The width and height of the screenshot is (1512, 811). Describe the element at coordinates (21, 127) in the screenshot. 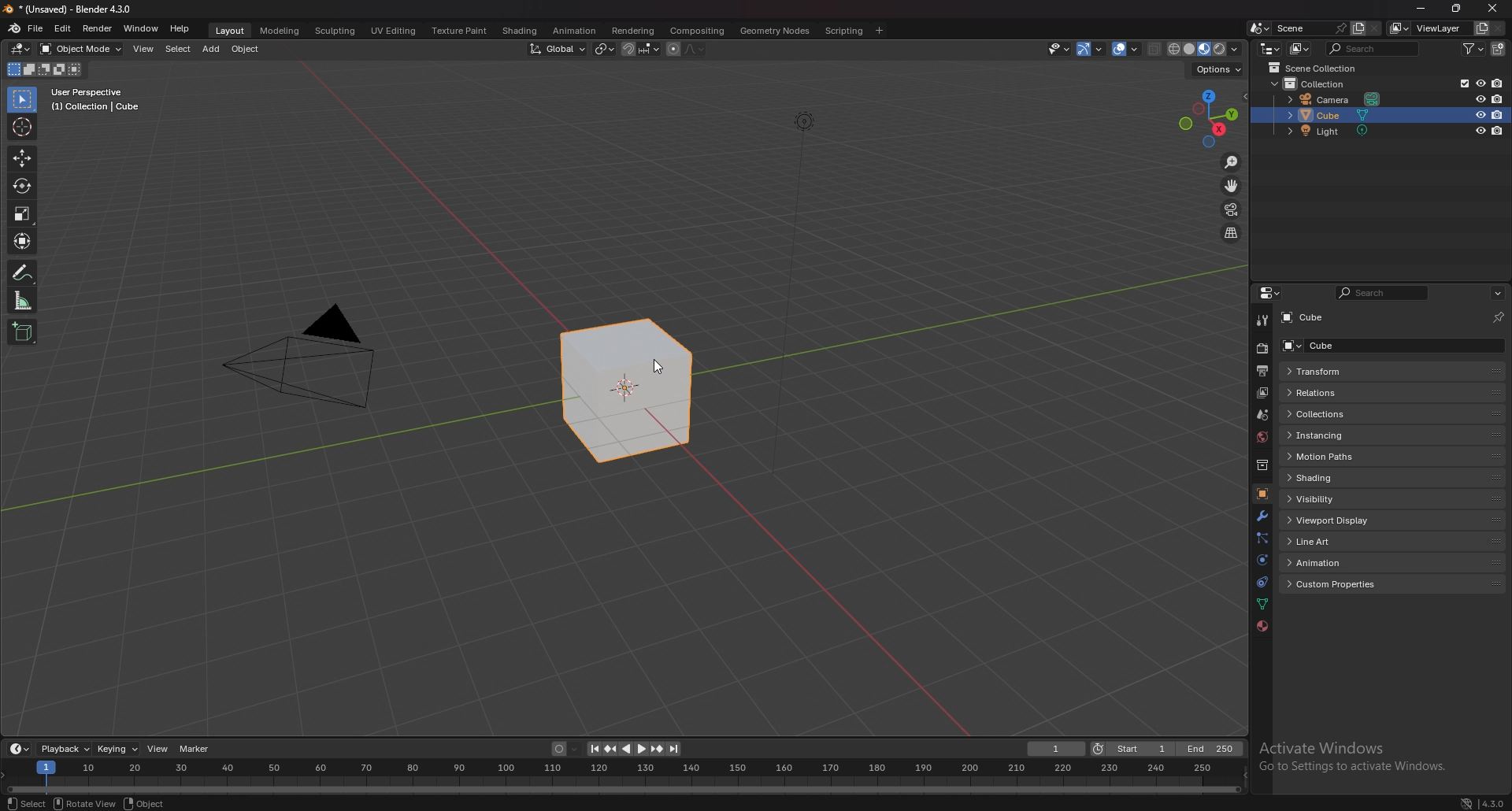

I see `cursor` at that location.